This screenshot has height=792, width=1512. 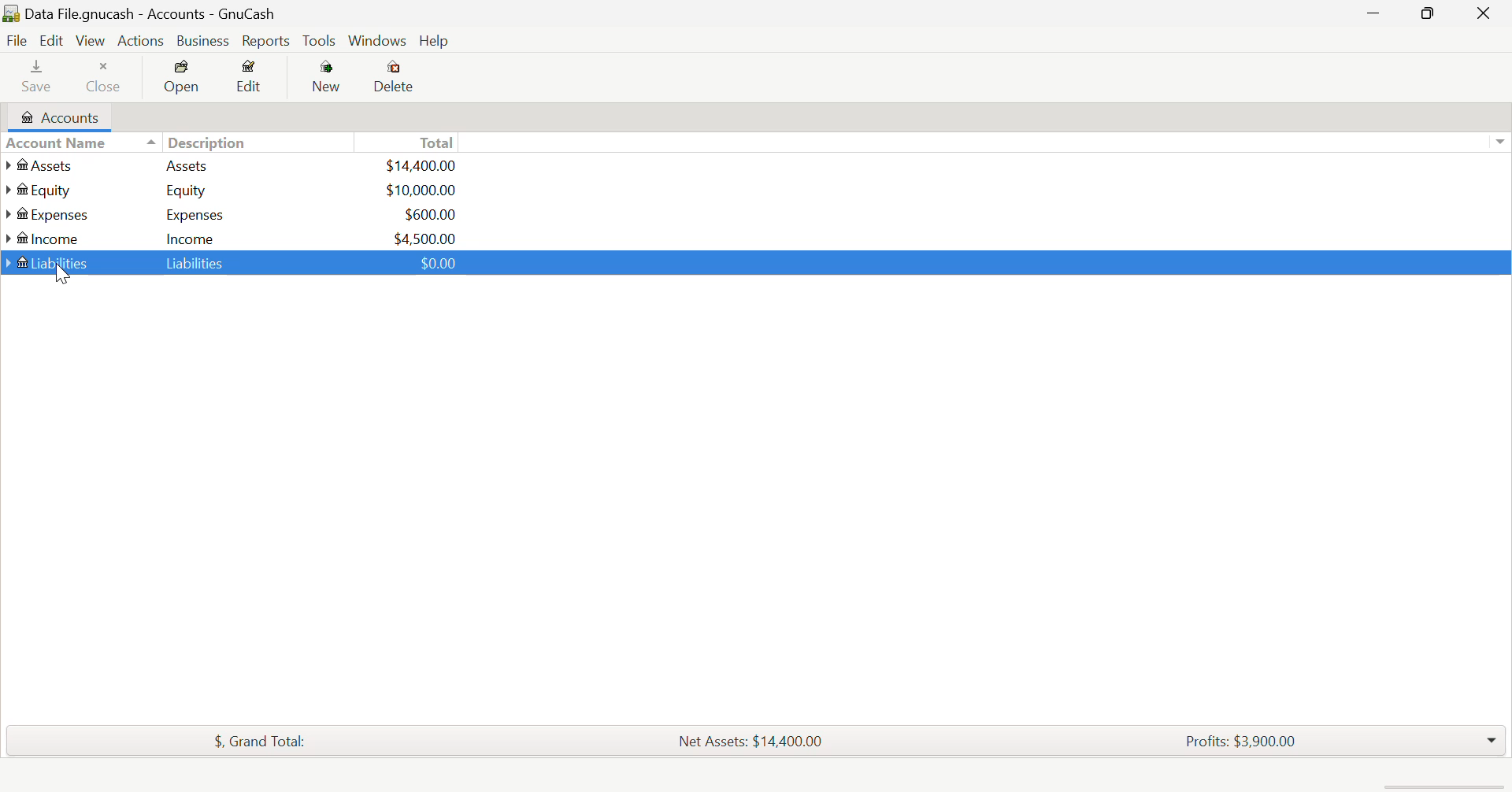 I want to click on Minimize, so click(x=1430, y=15).